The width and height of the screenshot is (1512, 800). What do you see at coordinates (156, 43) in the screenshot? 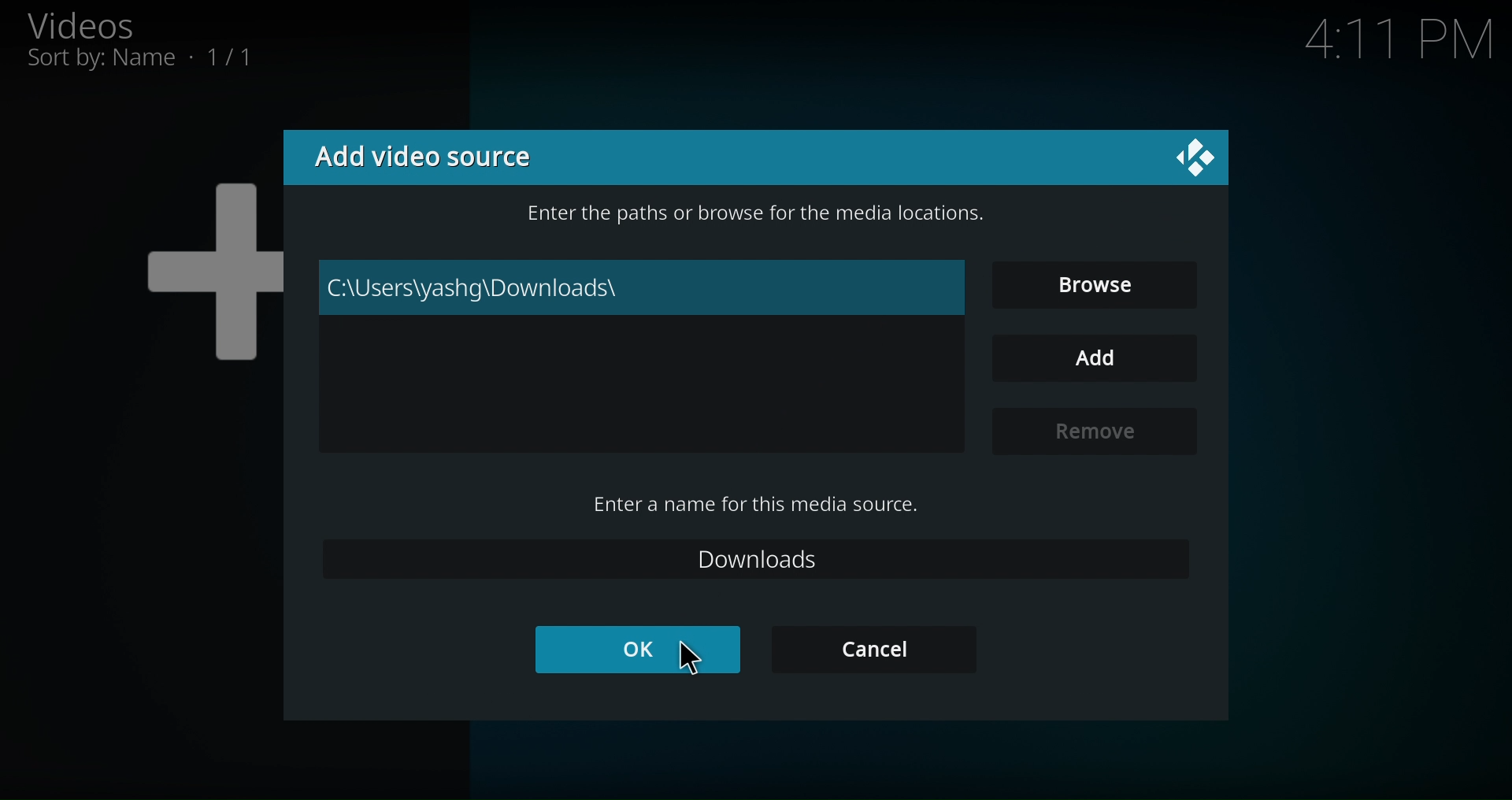
I see `Videos, Sort by: Name • 1/1` at bounding box center [156, 43].